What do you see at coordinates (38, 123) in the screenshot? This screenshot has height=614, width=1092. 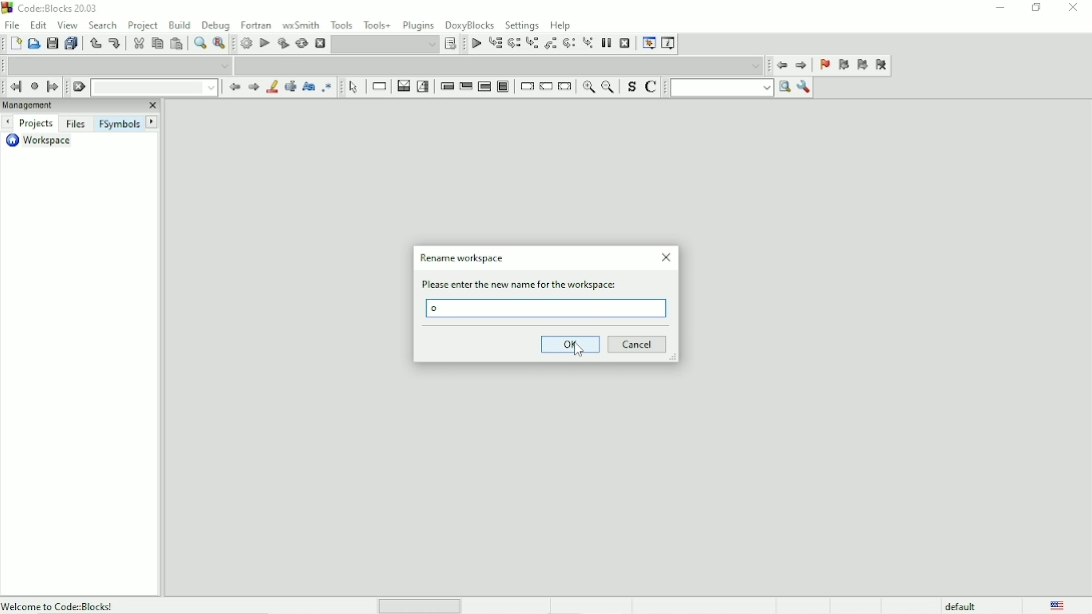 I see `Projects` at bounding box center [38, 123].